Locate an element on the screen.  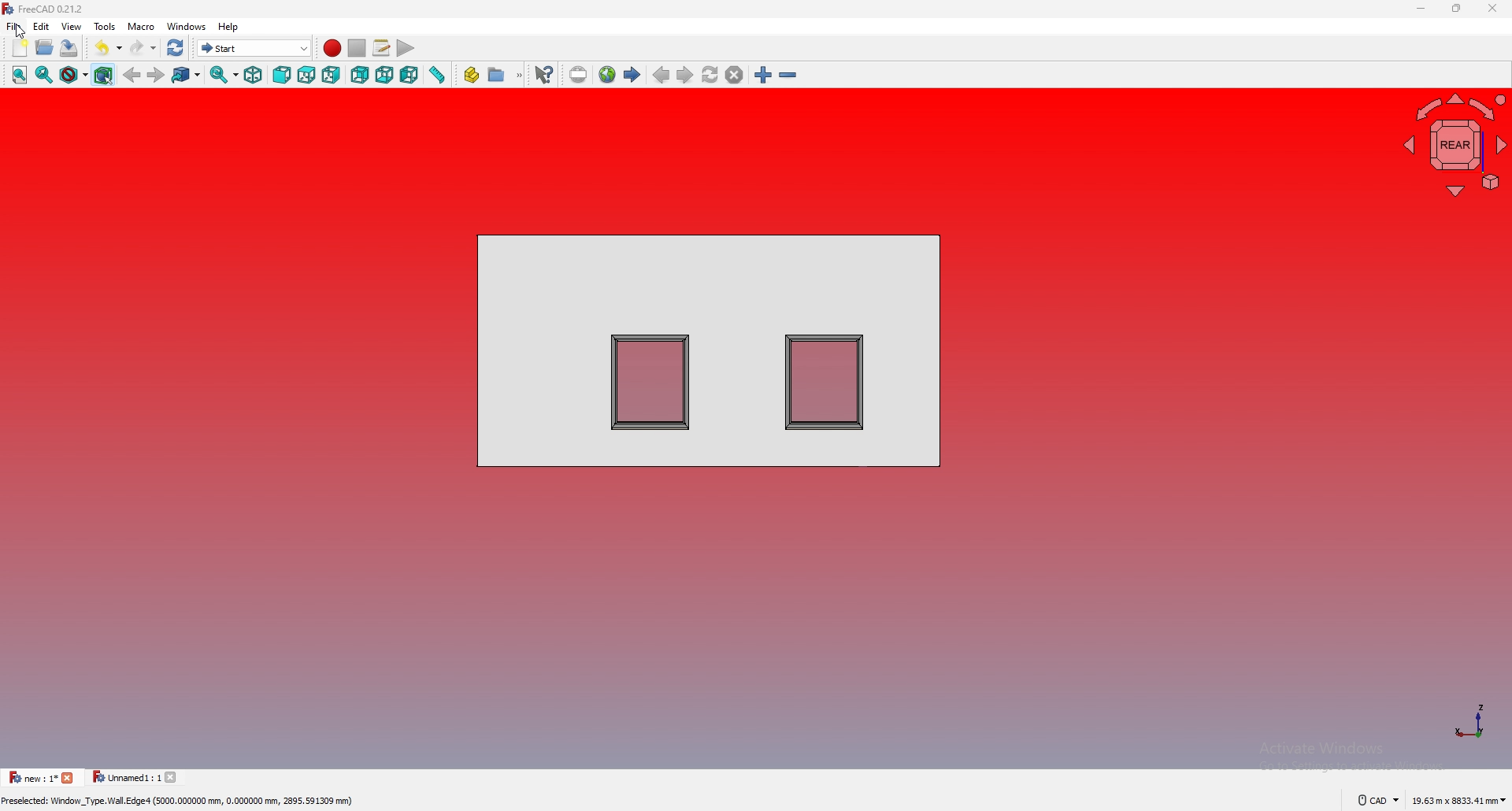
measure distance is located at coordinates (437, 74).